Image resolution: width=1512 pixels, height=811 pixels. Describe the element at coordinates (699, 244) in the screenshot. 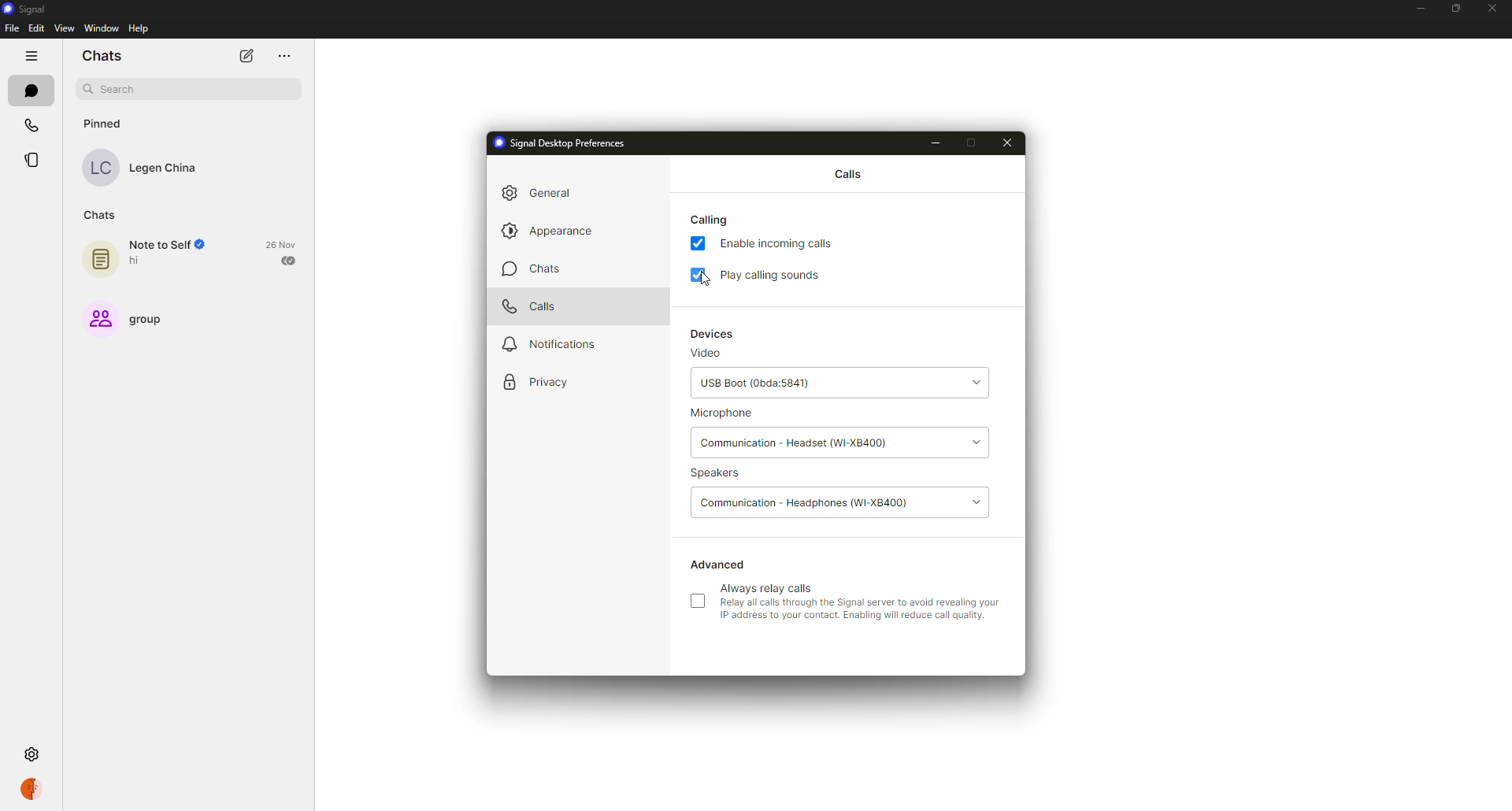

I see `enabled` at that location.